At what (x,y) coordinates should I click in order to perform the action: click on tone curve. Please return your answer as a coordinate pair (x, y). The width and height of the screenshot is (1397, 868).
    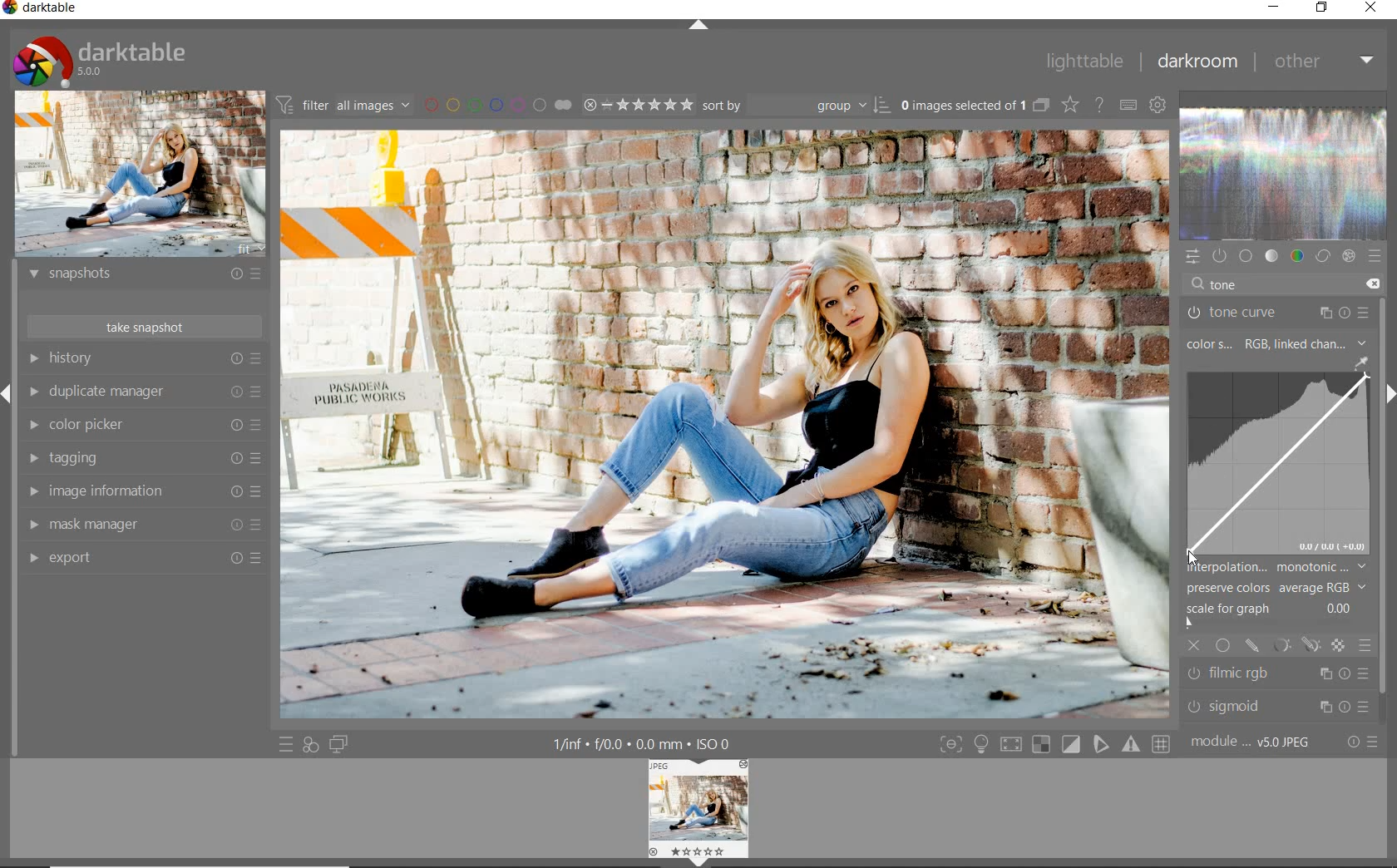
    Looking at the image, I should click on (1276, 311).